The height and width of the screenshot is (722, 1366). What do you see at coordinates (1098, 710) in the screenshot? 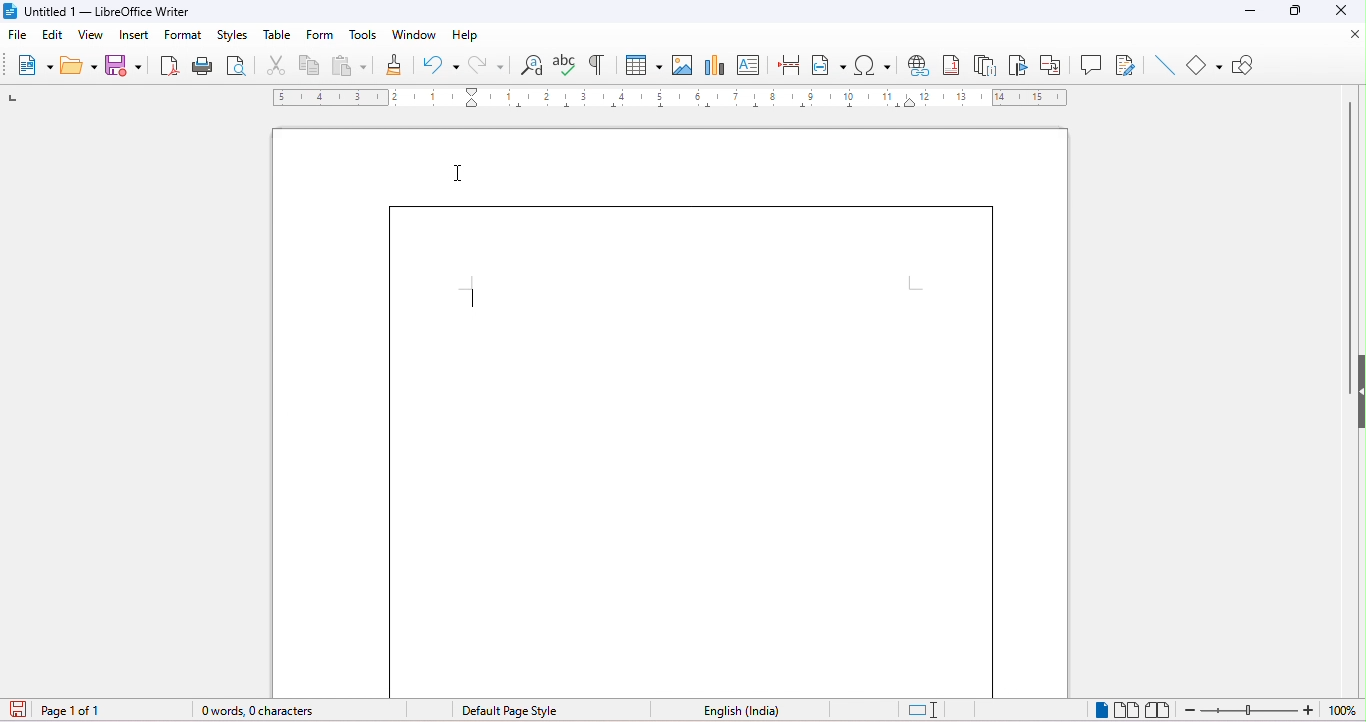
I see `single page view` at bounding box center [1098, 710].